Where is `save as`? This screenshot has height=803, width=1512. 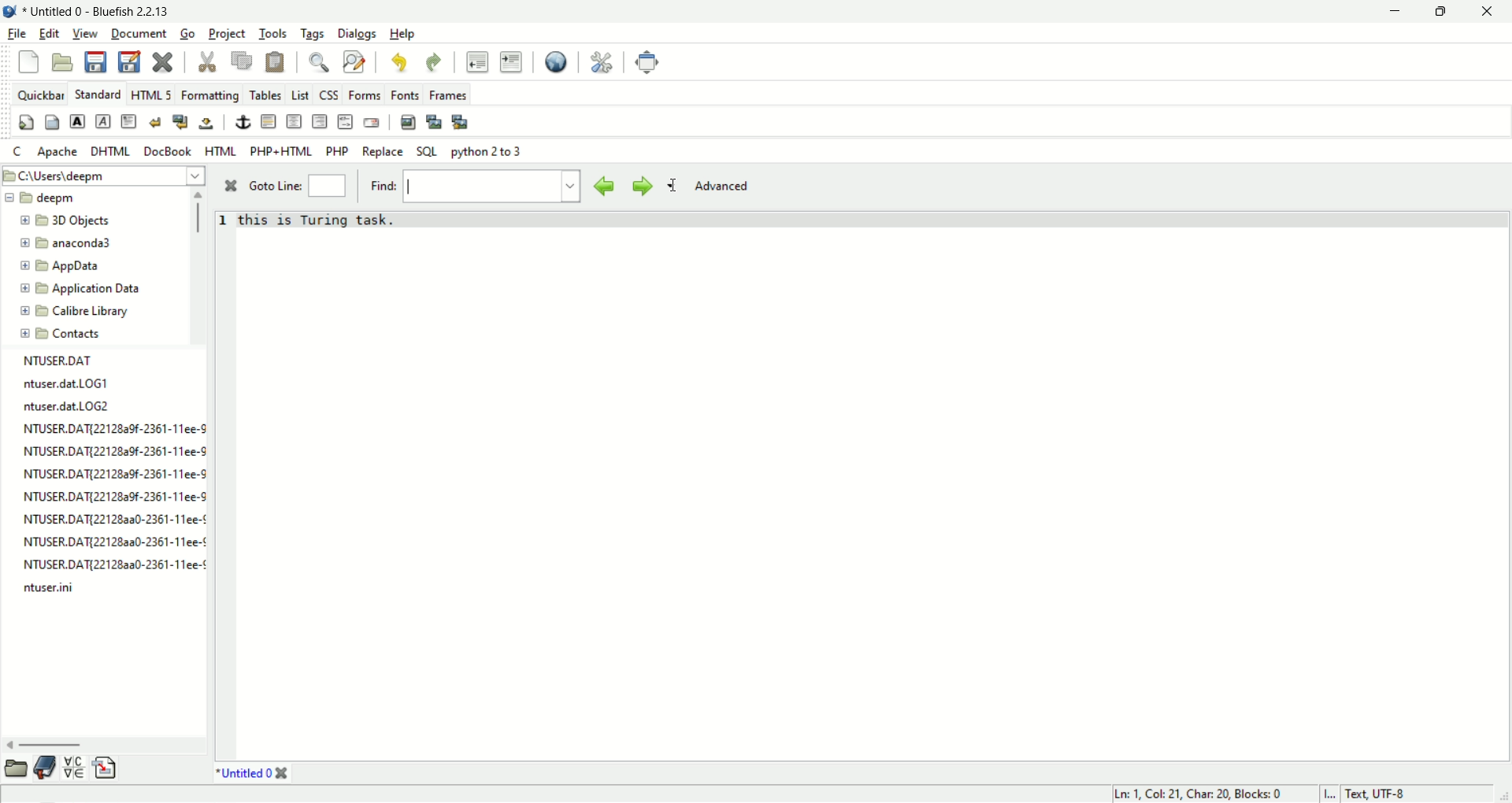
save as is located at coordinates (129, 61).